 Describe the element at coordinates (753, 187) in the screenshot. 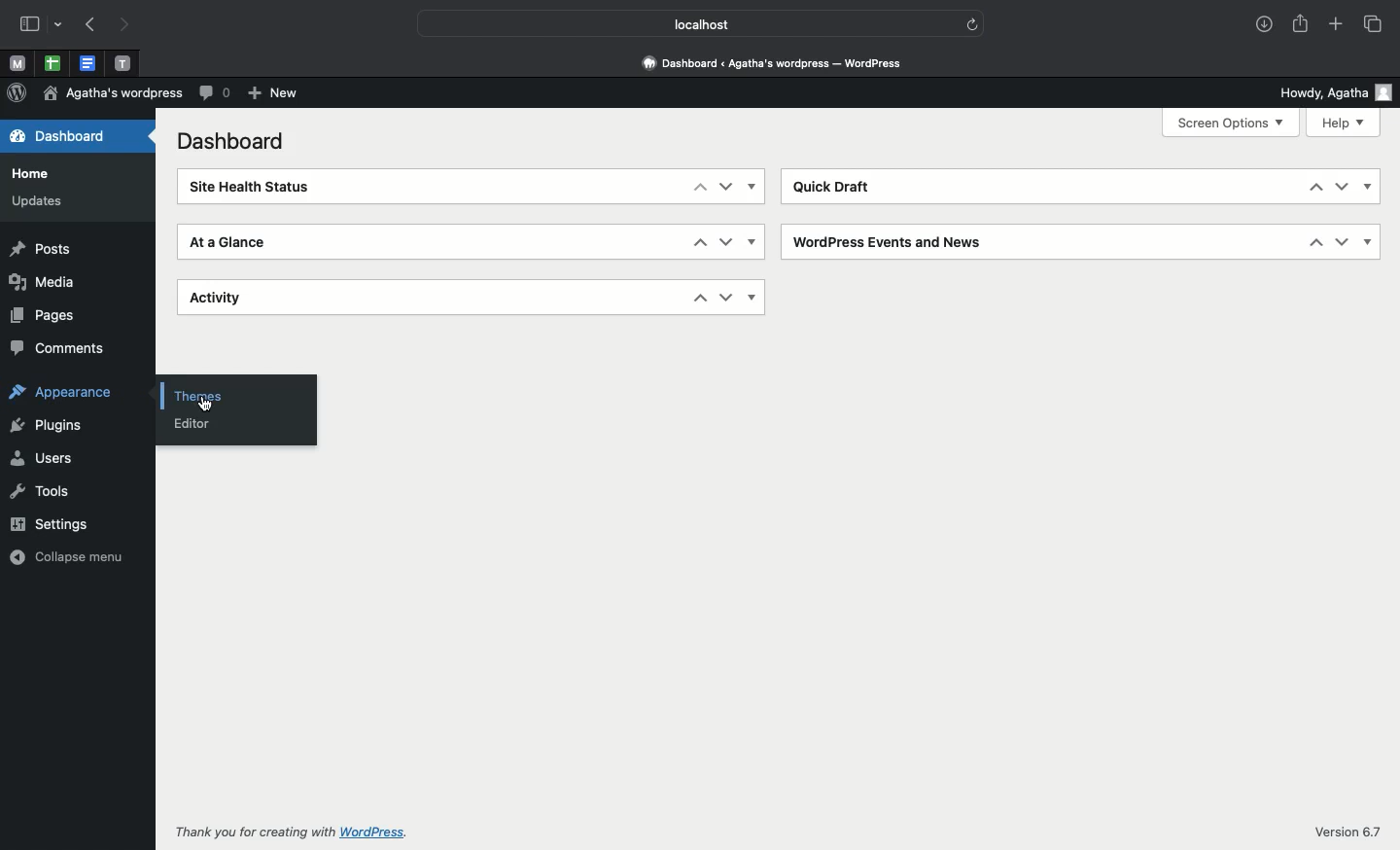

I see `Show` at that location.